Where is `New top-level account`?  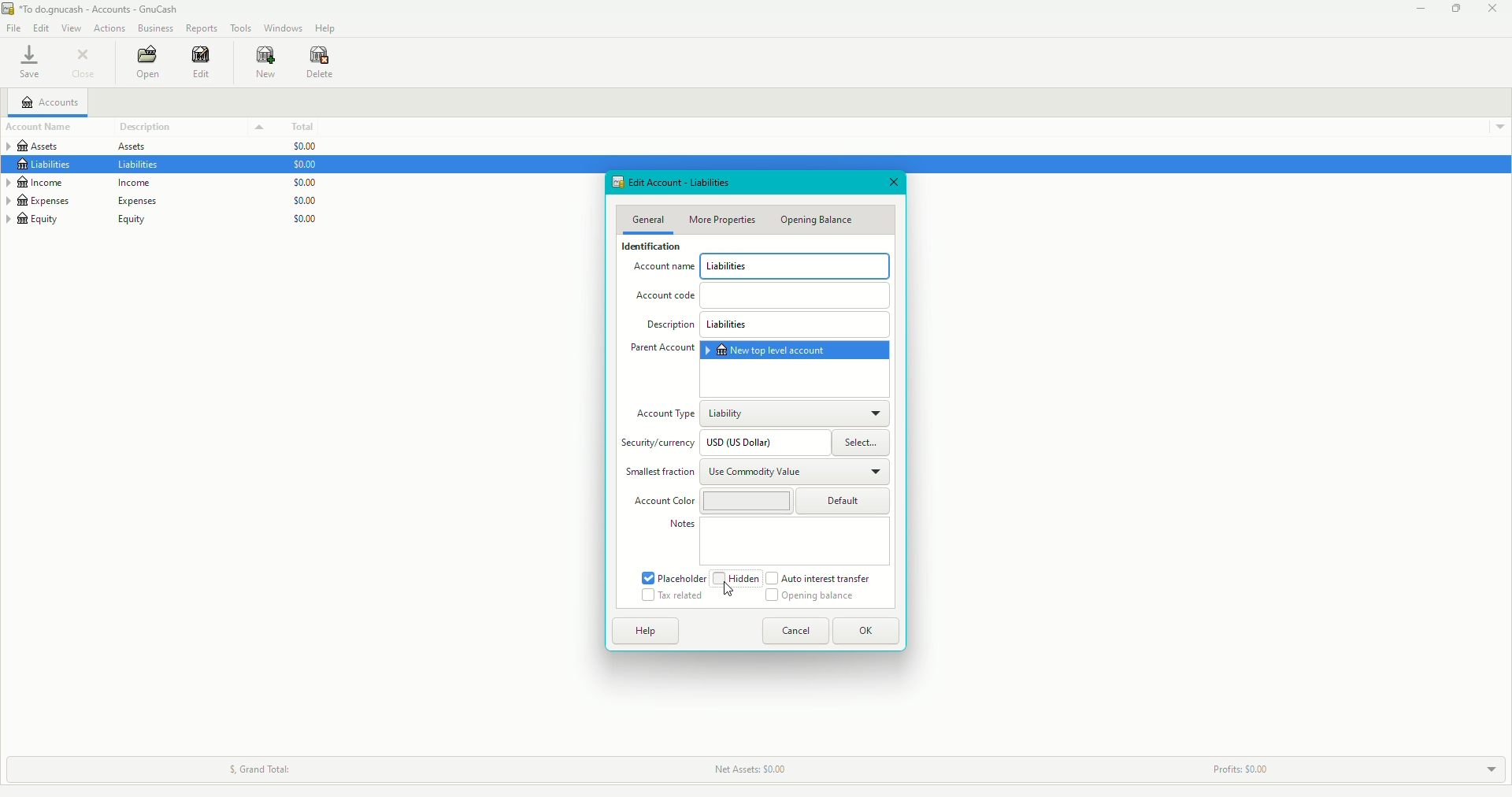 New top-level account is located at coordinates (794, 350).